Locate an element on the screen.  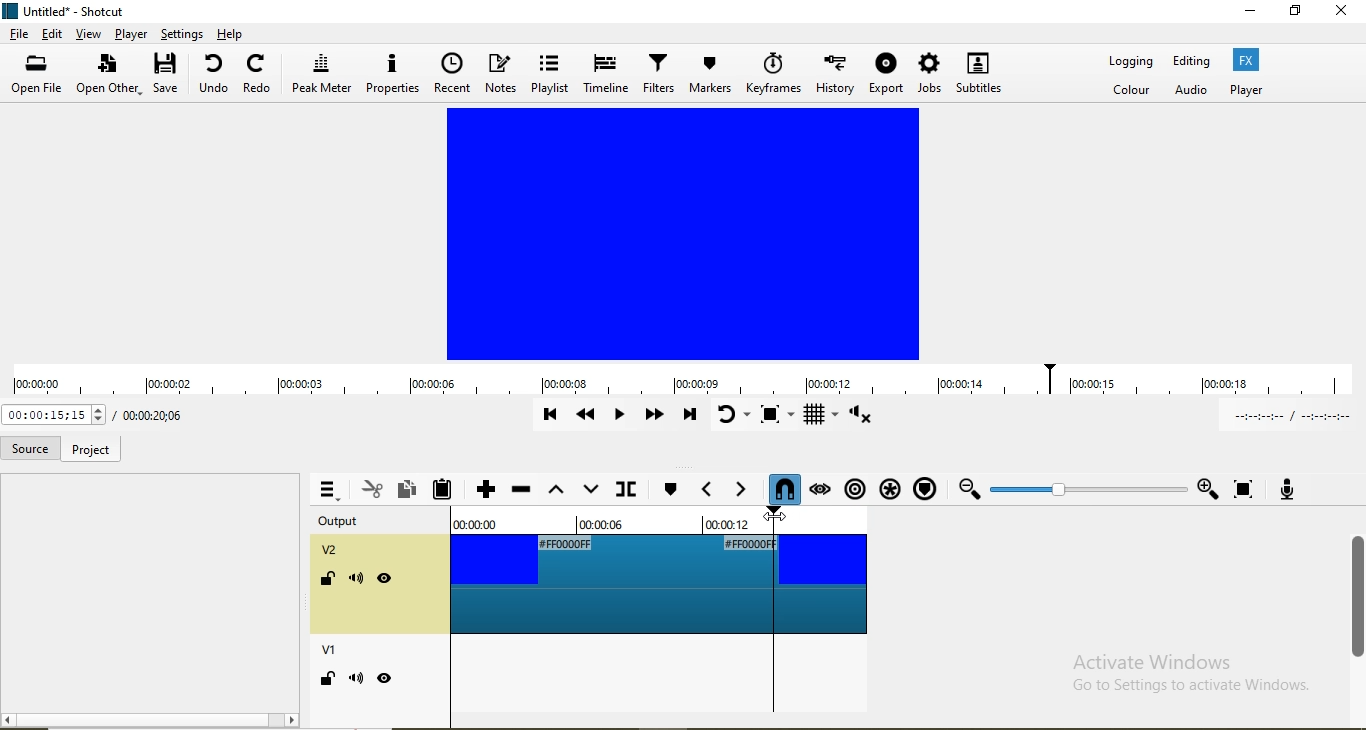
output is located at coordinates (351, 525).